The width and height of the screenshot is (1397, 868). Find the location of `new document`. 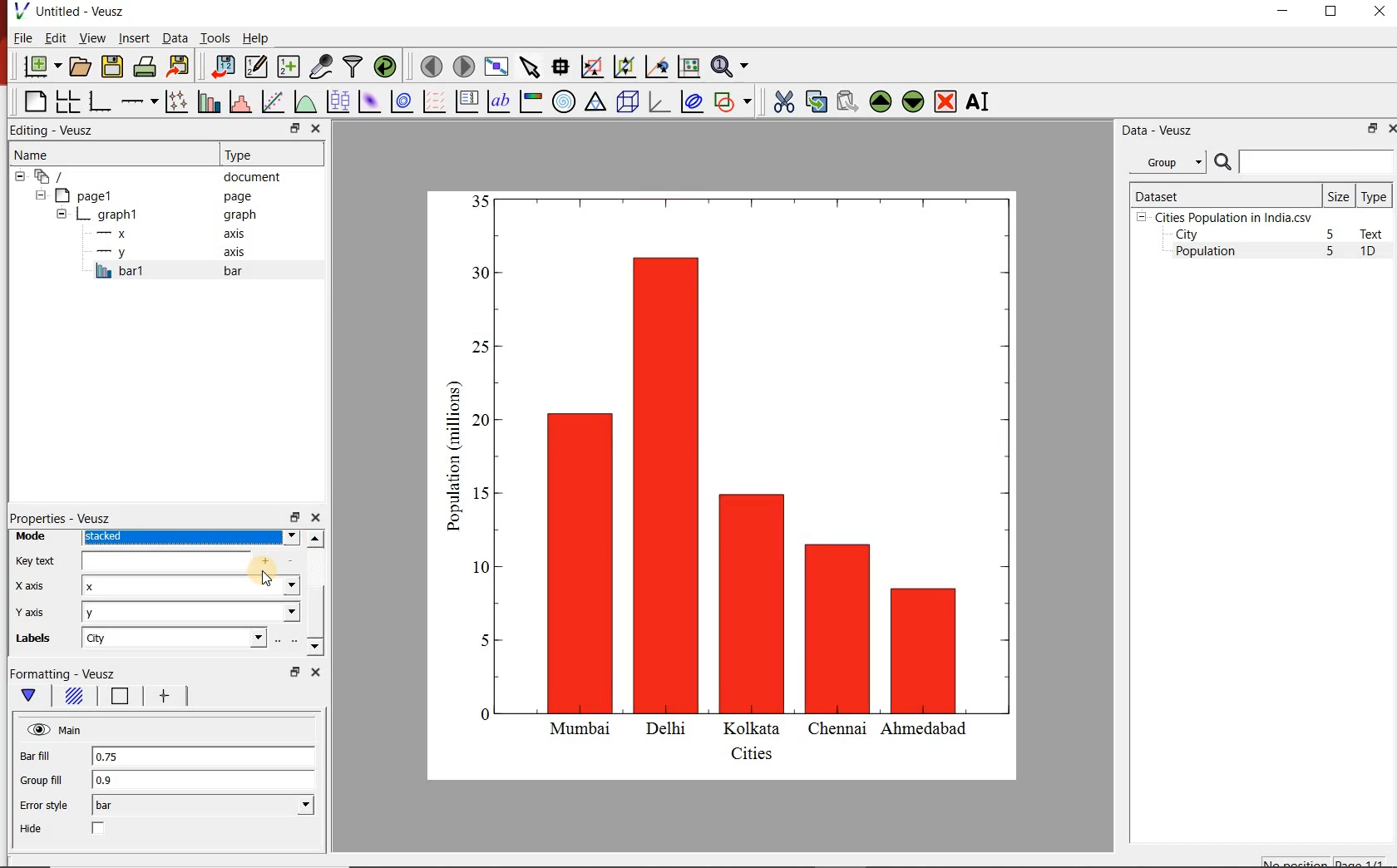

new document is located at coordinates (39, 67).